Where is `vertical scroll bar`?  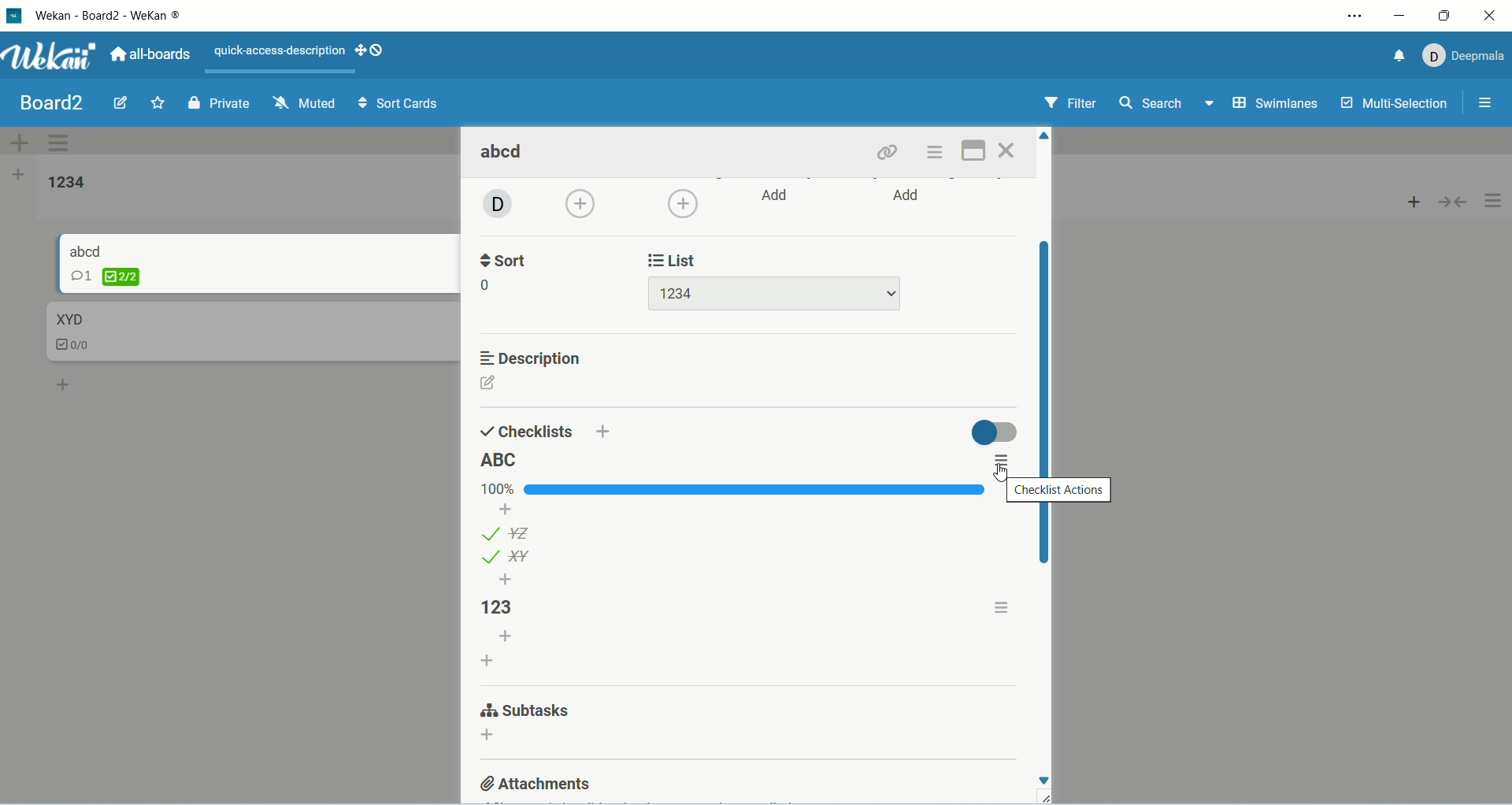
vertical scroll bar is located at coordinates (1043, 403).